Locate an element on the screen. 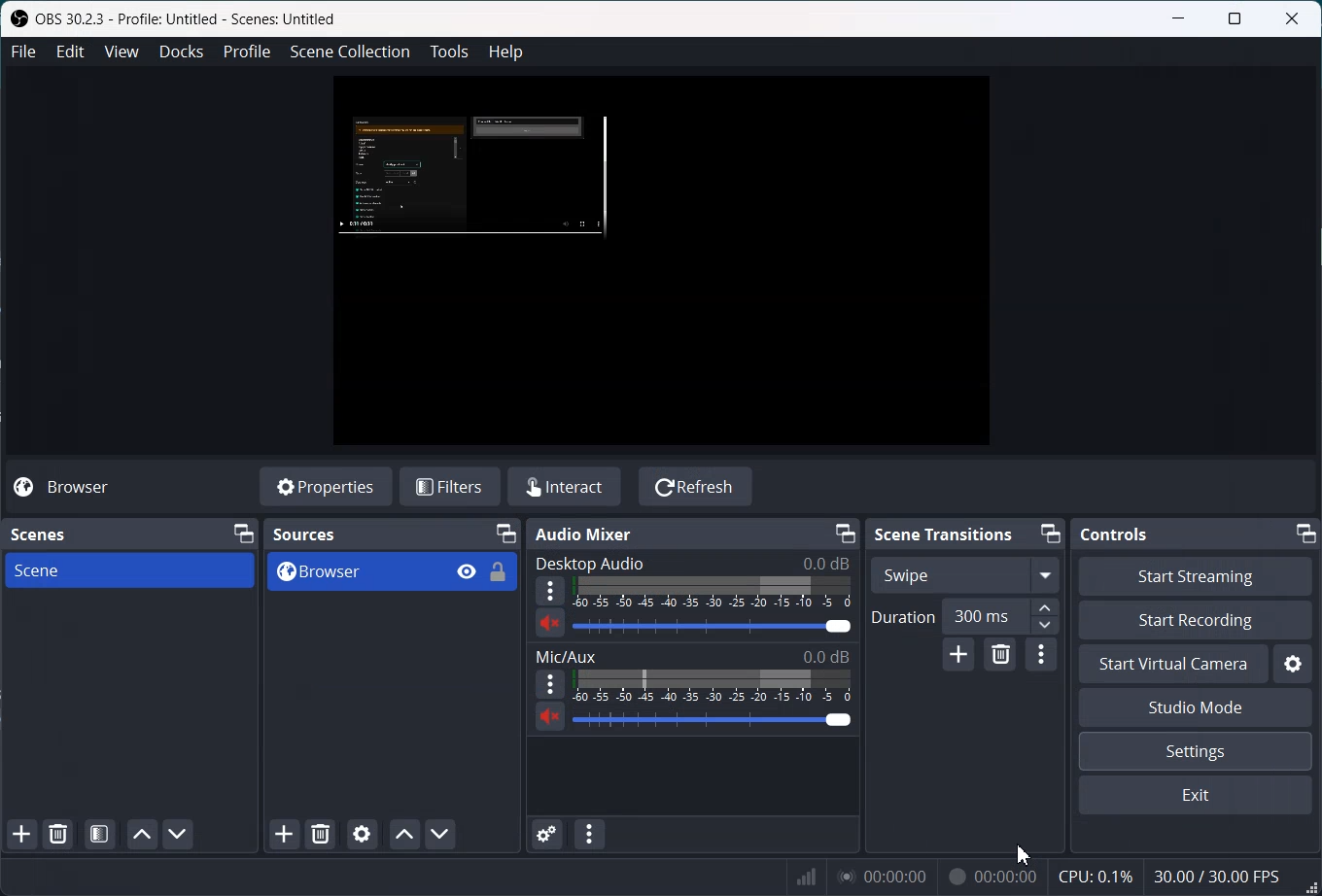  Add Configurable Transition is located at coordinates (959, 656).